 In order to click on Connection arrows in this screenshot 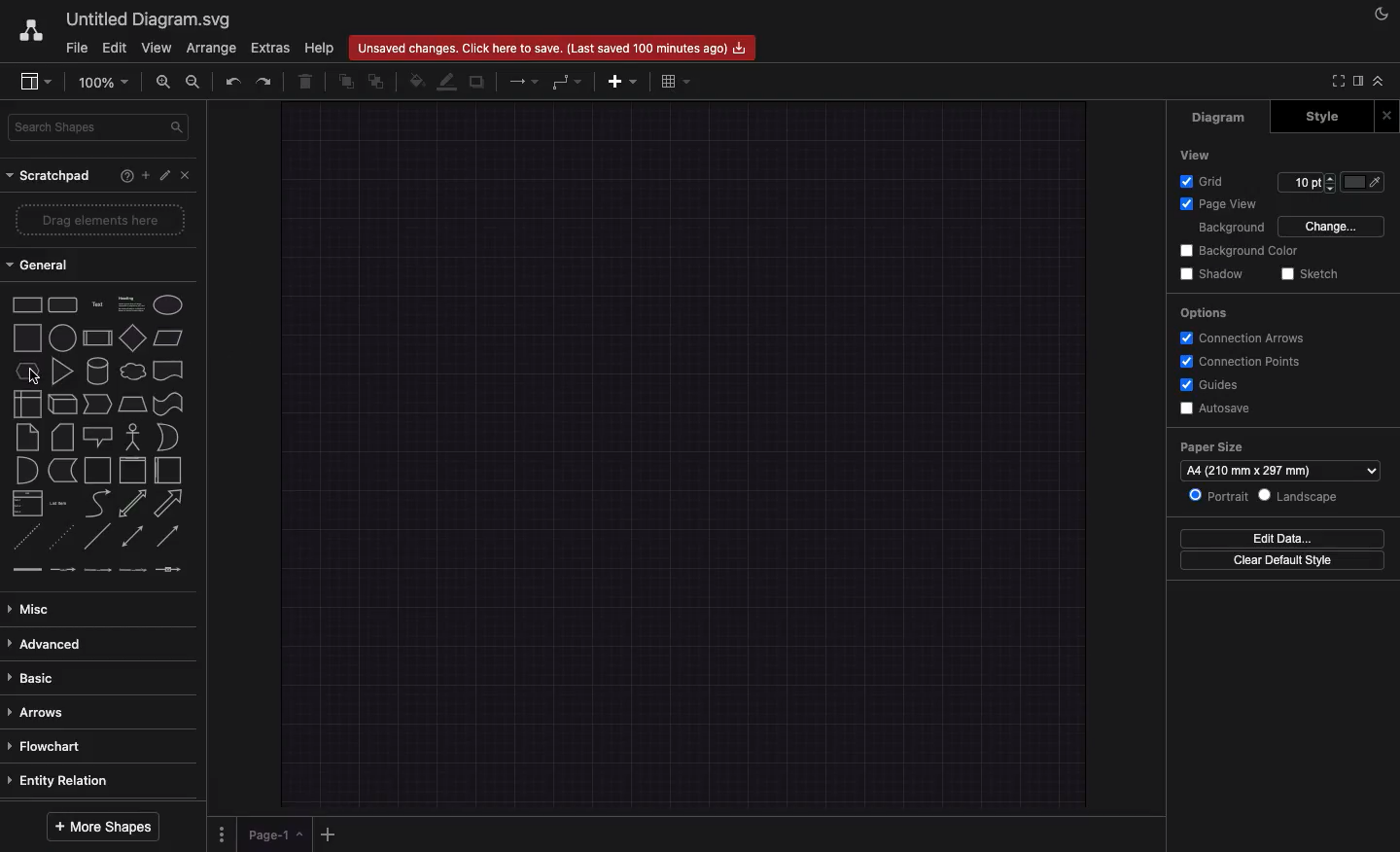, I will do `click(1244, 339)`.